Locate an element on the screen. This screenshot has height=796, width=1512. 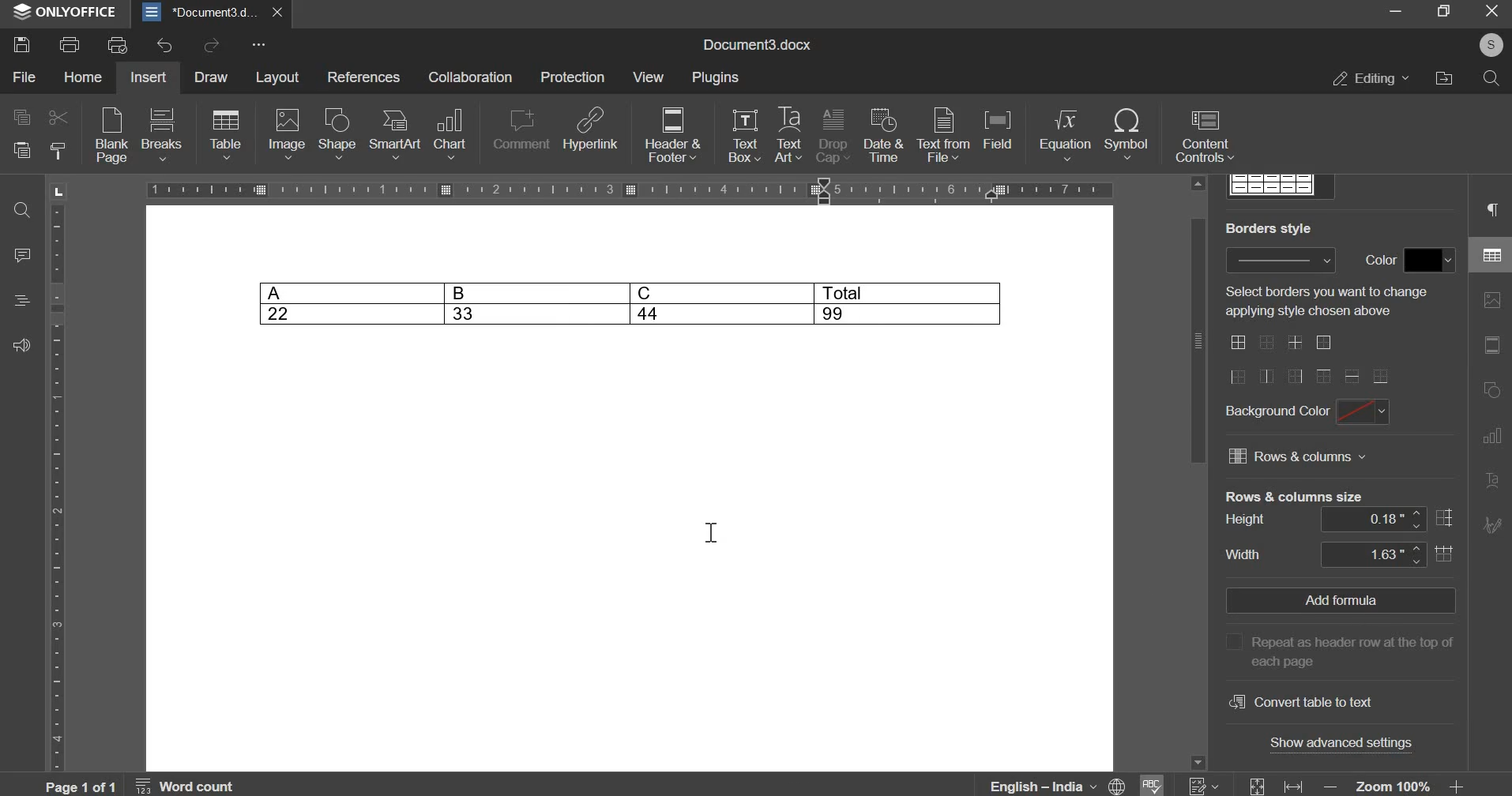
background color is located at coordinates (1276, 413).